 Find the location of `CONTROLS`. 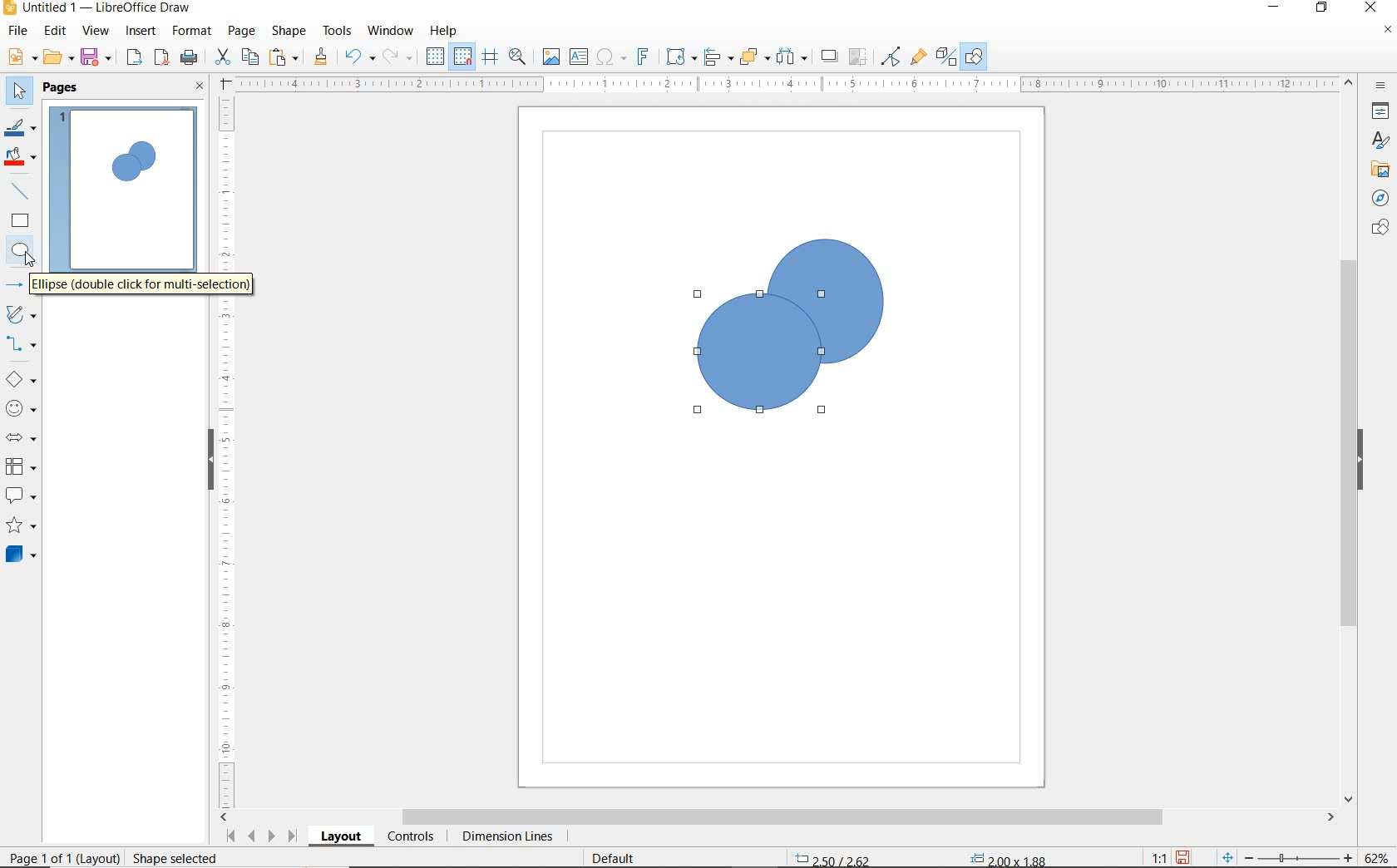

CONTROLS is located at coordinates (412, 838).